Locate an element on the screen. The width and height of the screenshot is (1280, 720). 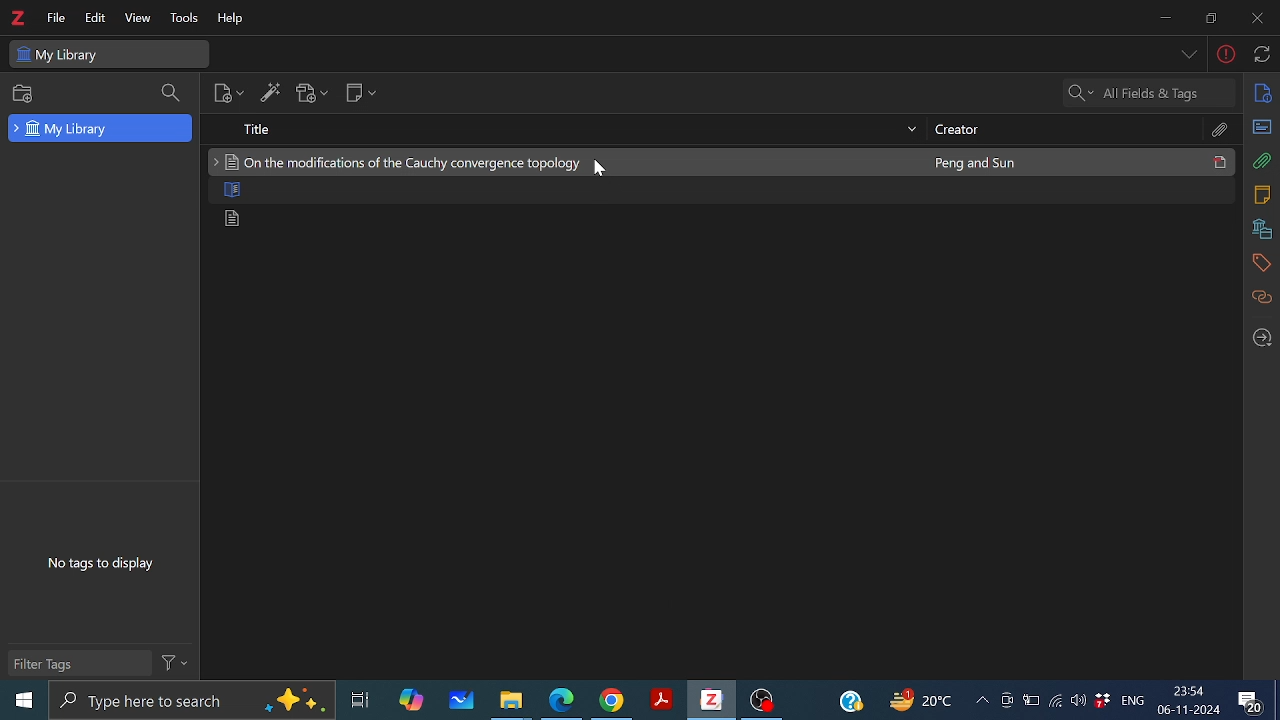
Copilot is located at coordinates (410, 700).